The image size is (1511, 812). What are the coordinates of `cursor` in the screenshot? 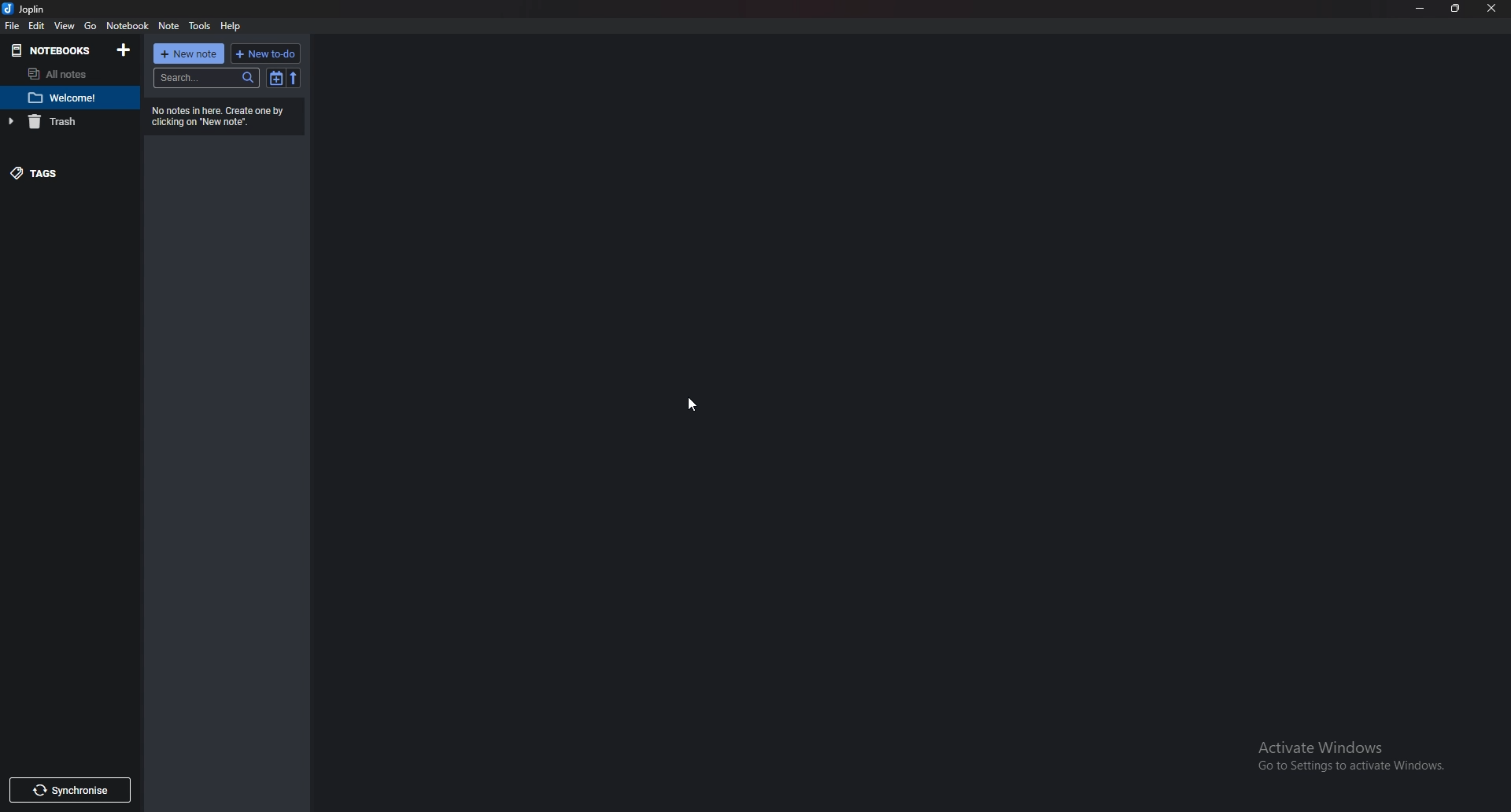 It's located at (691, 404).